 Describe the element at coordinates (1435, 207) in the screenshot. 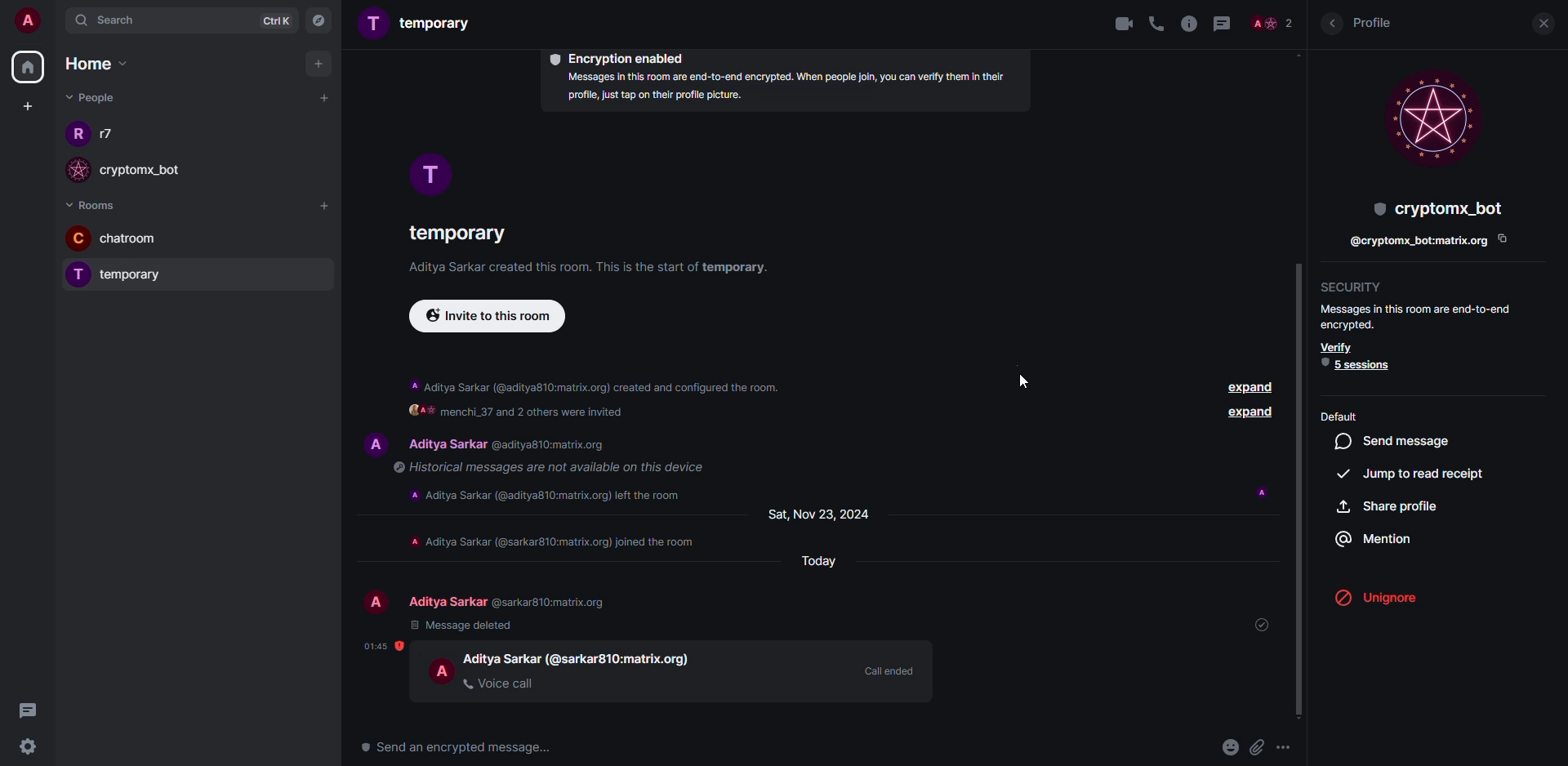

I see `bot` at that location.